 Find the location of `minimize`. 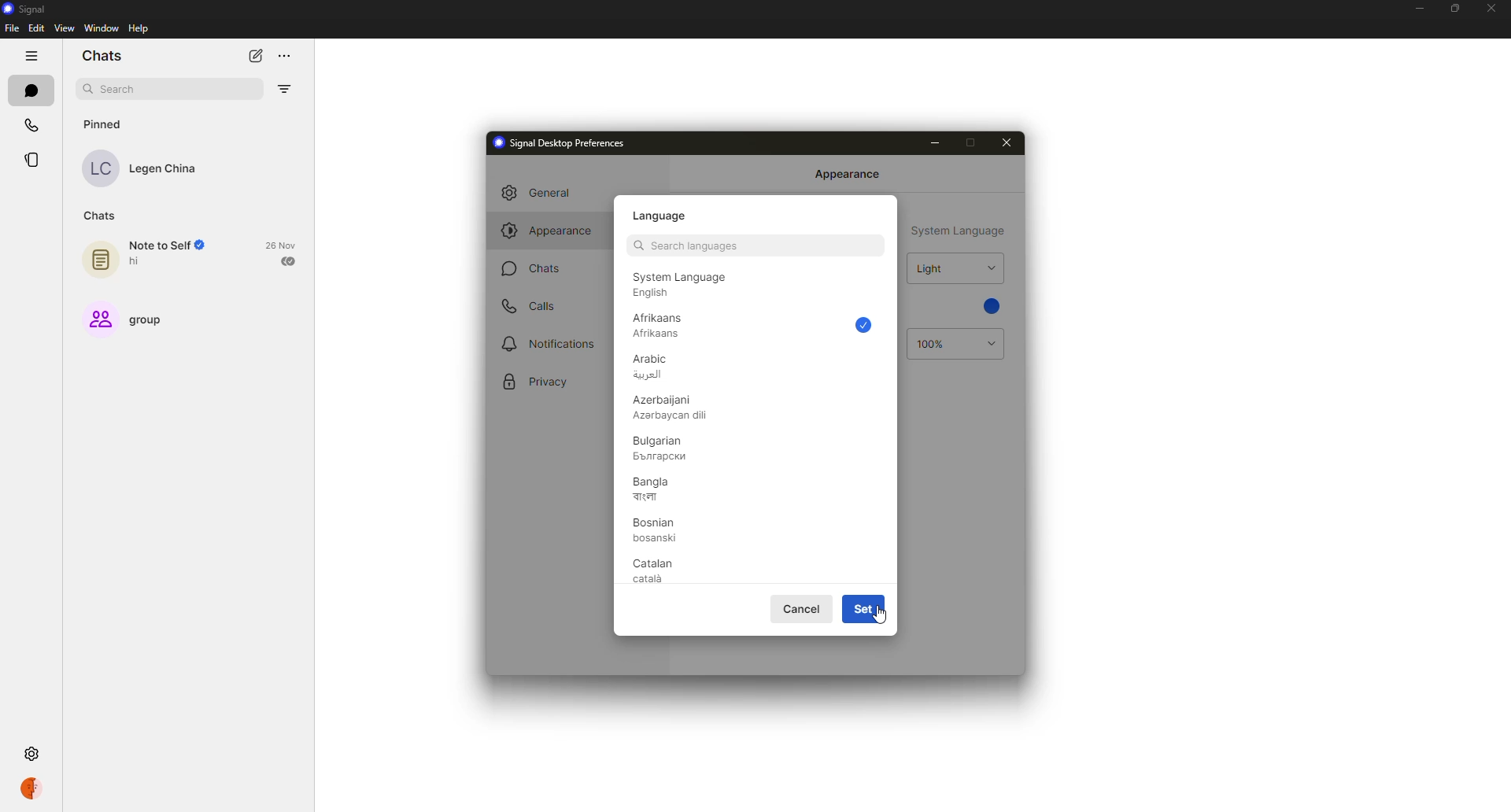

minimize is located at coordinates (1417, 9).